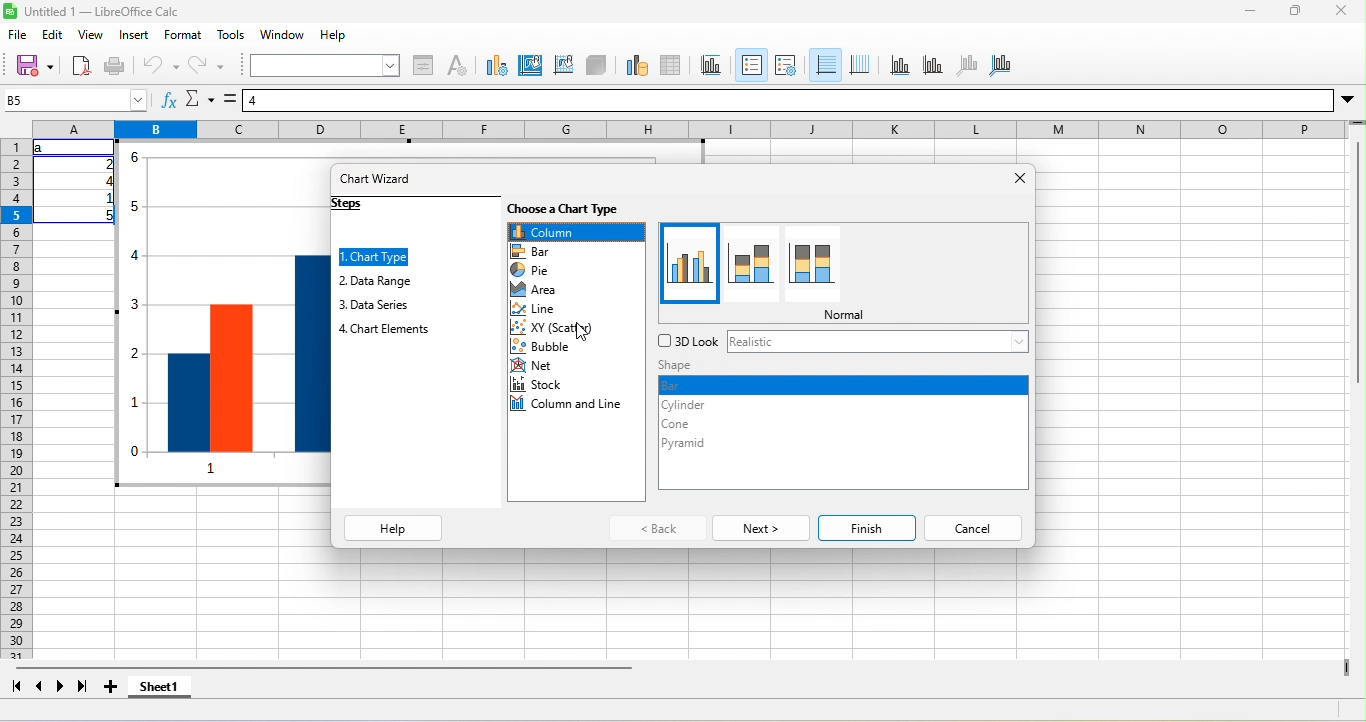 Image resolution: width=1366 pixels, height=722 pixels. Describe the element at coordinates (61, 686) in the screenshot. I see ` next sheet` at that location.